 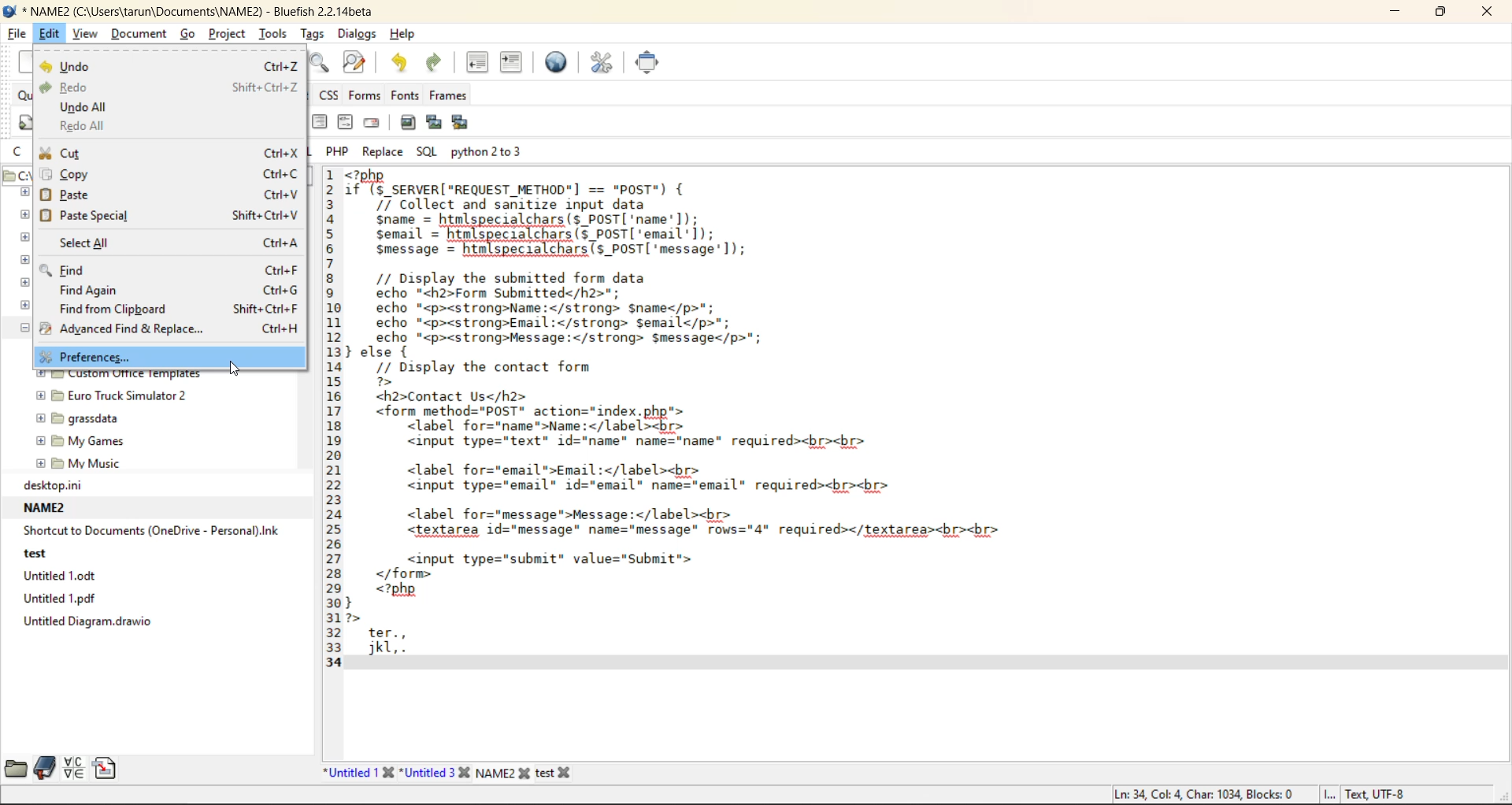 I want to click on preview in browser, so click(x=558, y=61).